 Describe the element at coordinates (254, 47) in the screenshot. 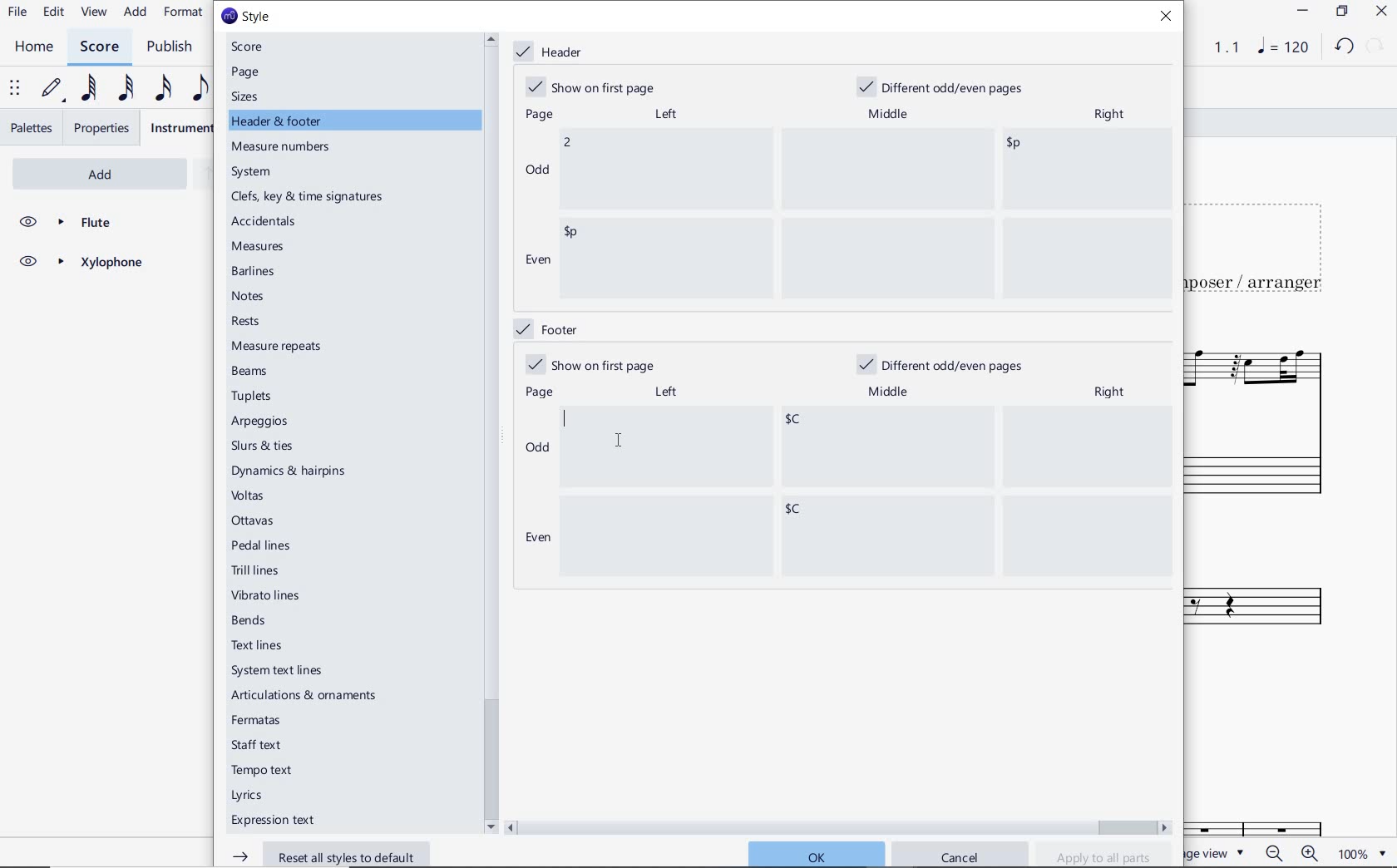

I see `score` at that location.